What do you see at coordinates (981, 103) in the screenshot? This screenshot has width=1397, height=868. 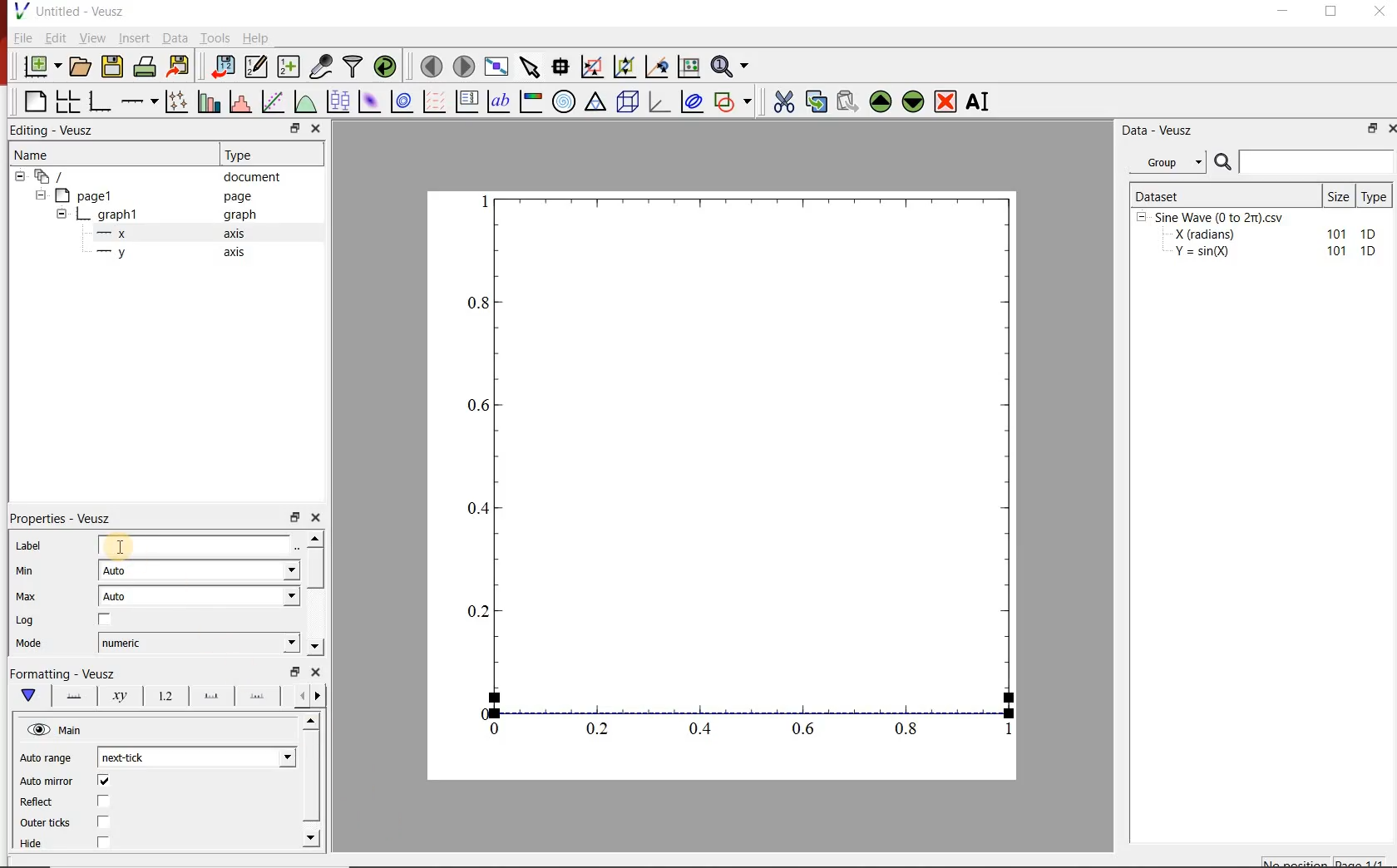 I see `rename` at bounding box center [981, 103].